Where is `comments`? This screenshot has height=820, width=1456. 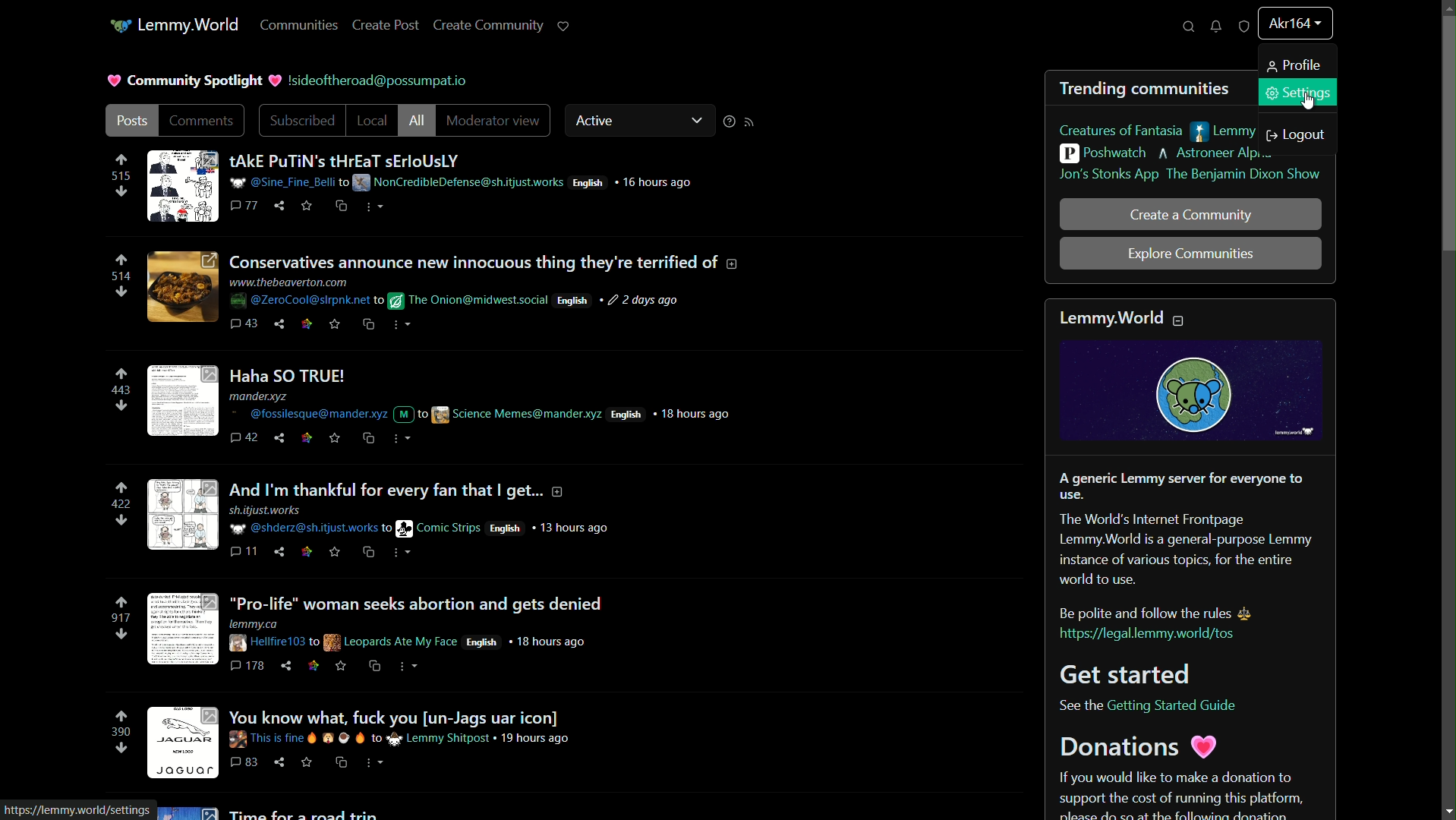 comments is located at coordinates (205, 121).